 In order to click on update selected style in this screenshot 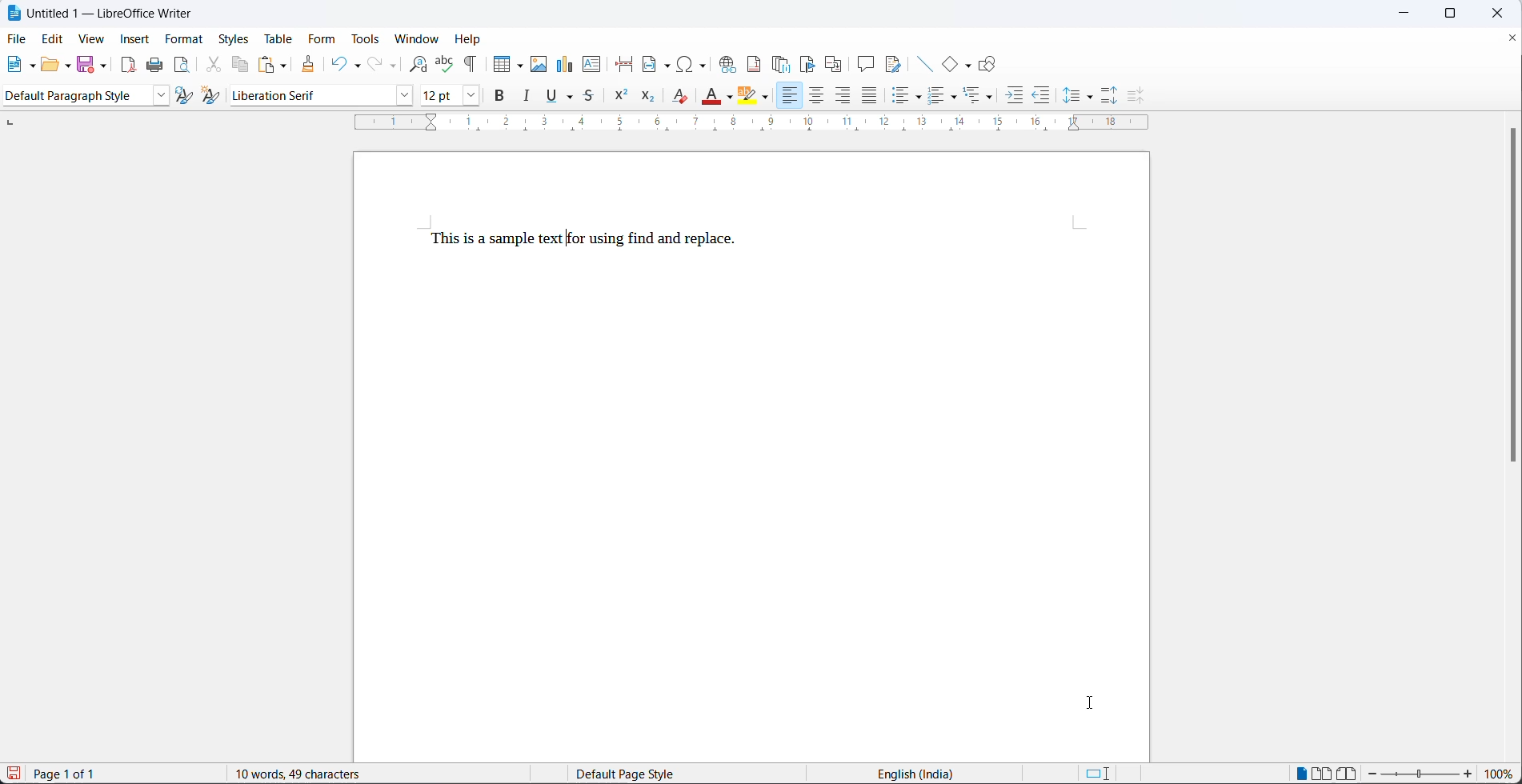, I will do `click(185, 96)`.